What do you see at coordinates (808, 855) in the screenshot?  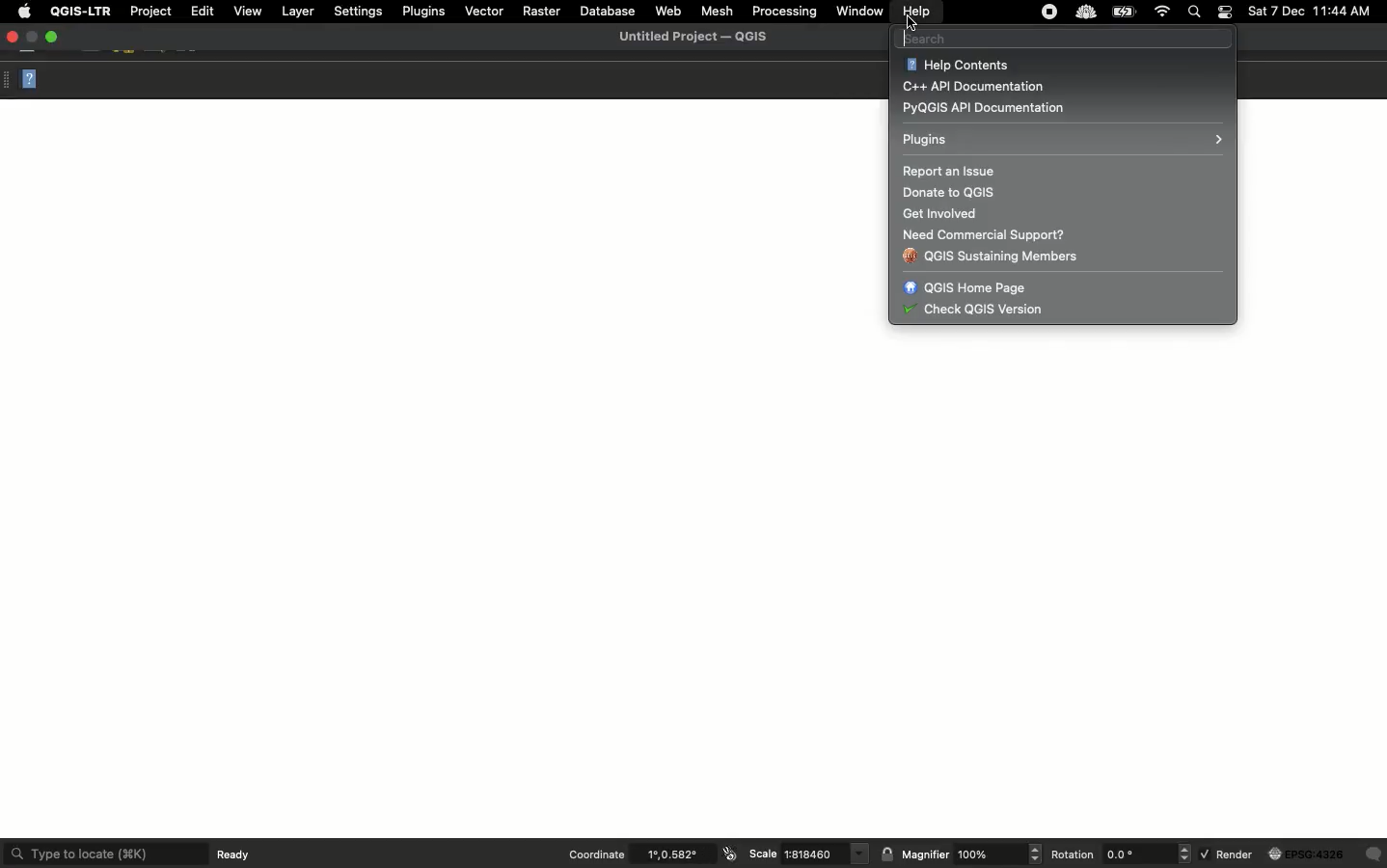 I see `Scale` at bounding box center [808, 855].